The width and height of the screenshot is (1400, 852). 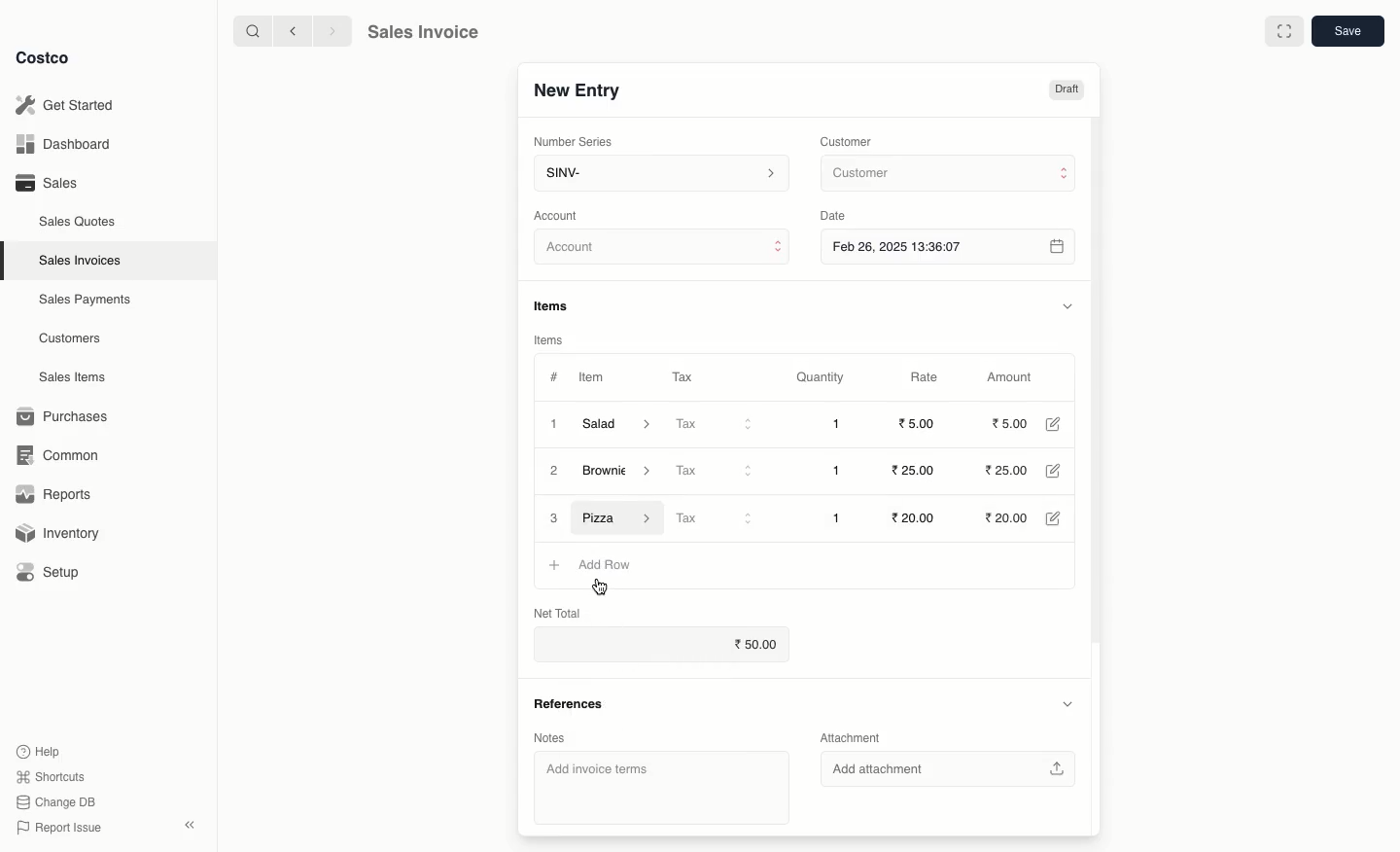 I want to click on Customer, so click(x=849, y=140).